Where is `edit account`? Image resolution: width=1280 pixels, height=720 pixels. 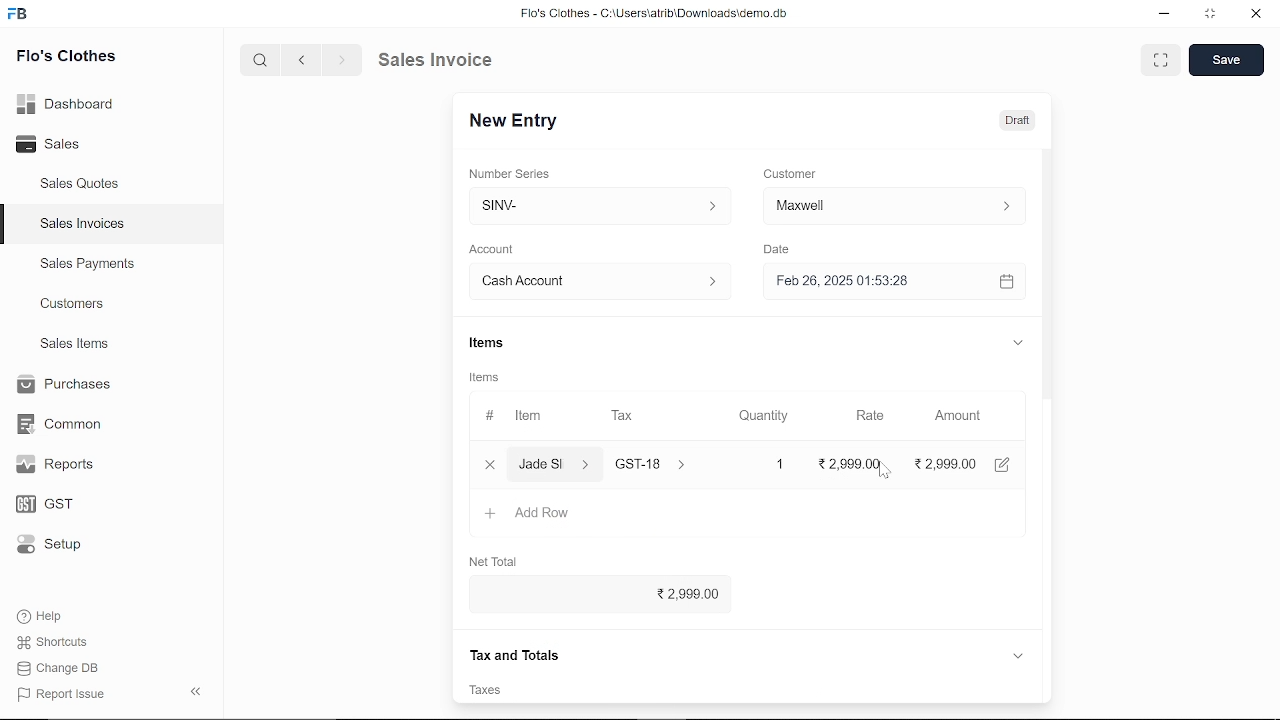
edit account is located at coordinates (1006, 463).